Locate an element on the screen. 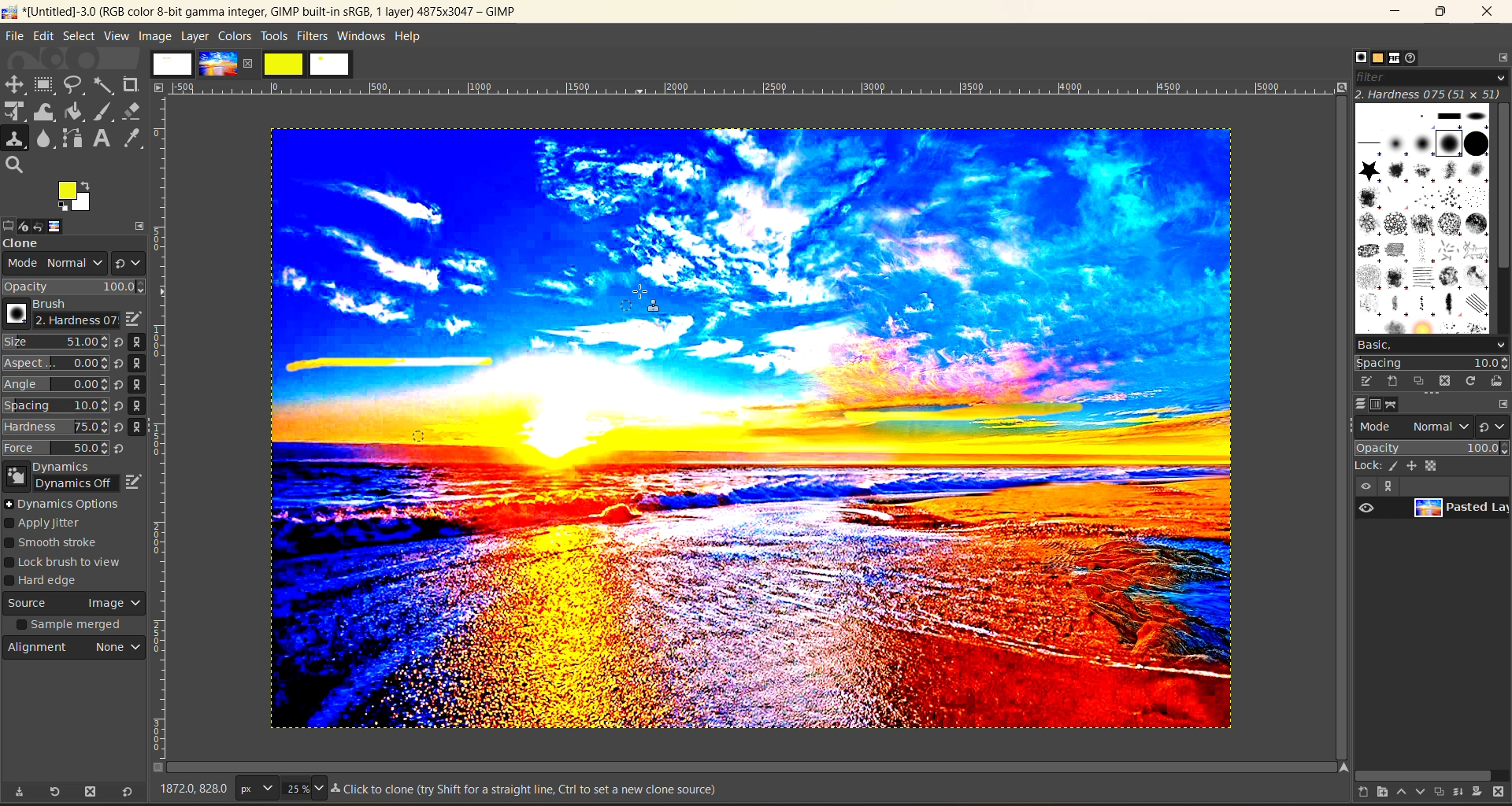  fonts is located at coordinates (1397, 59).